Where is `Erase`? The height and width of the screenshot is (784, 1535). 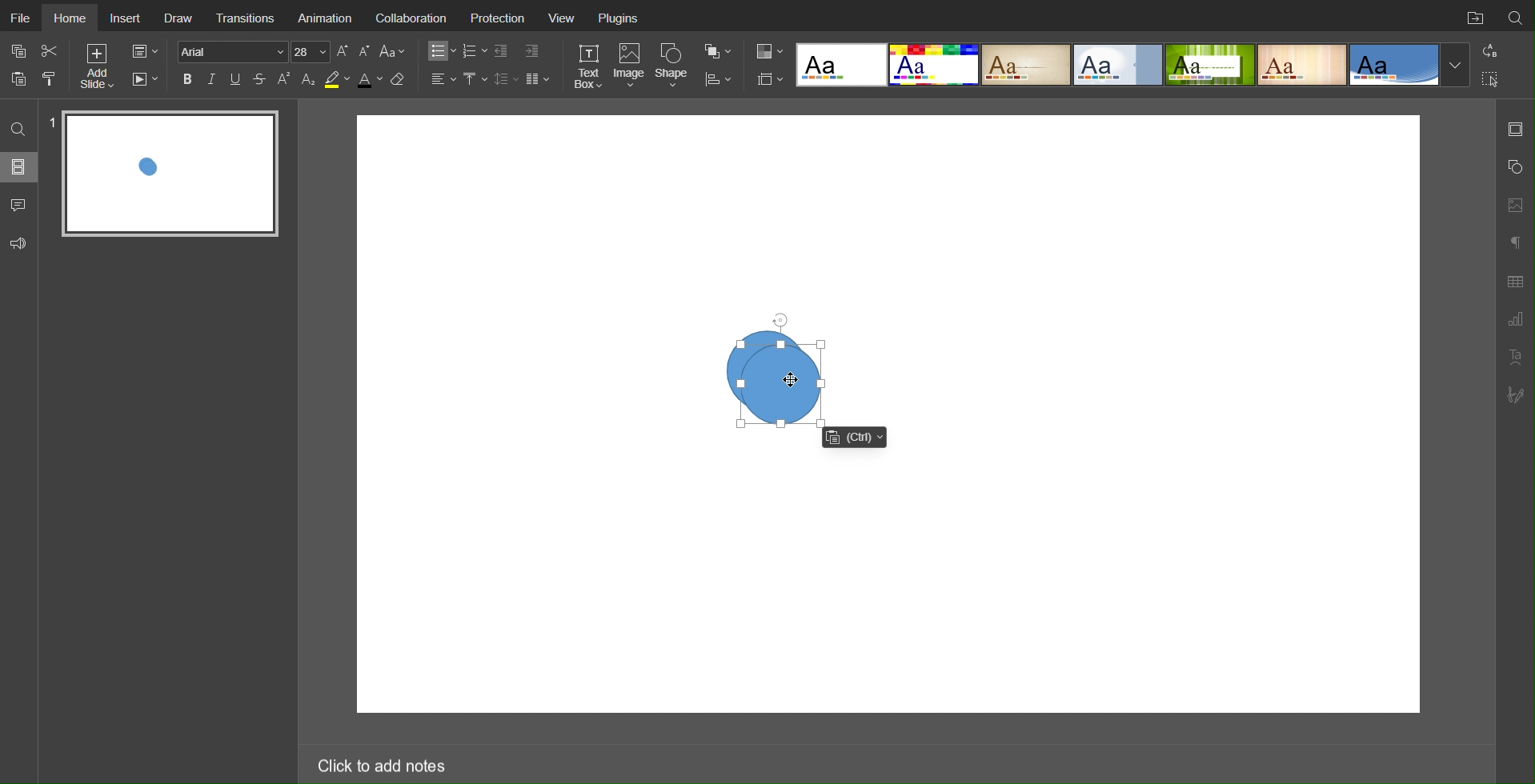 Erase is located at coordinates (401, 80).